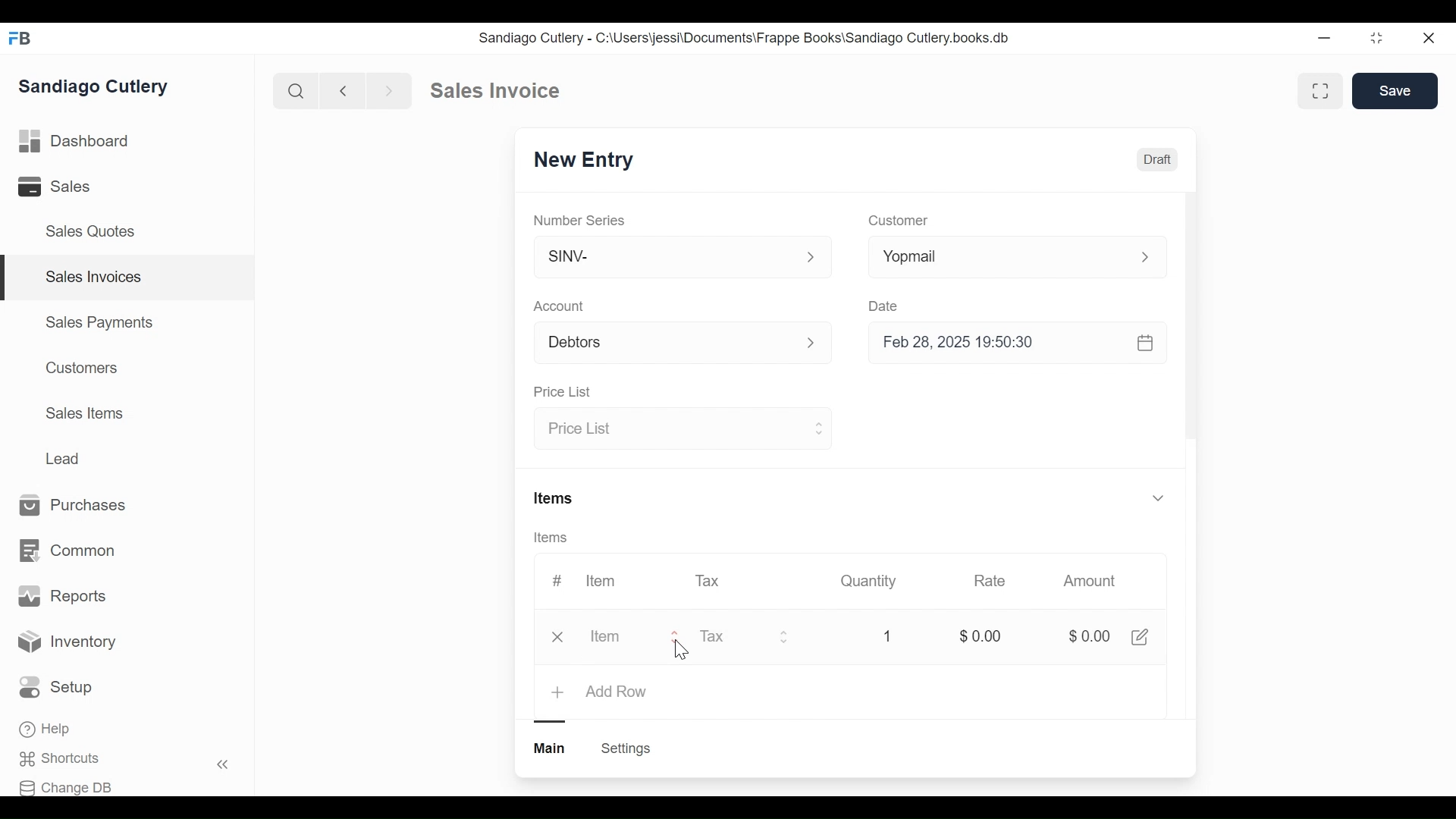 Image resolution: width=1456 pixels, height=819 pixels. I want to click on Date, so click(886, 306).